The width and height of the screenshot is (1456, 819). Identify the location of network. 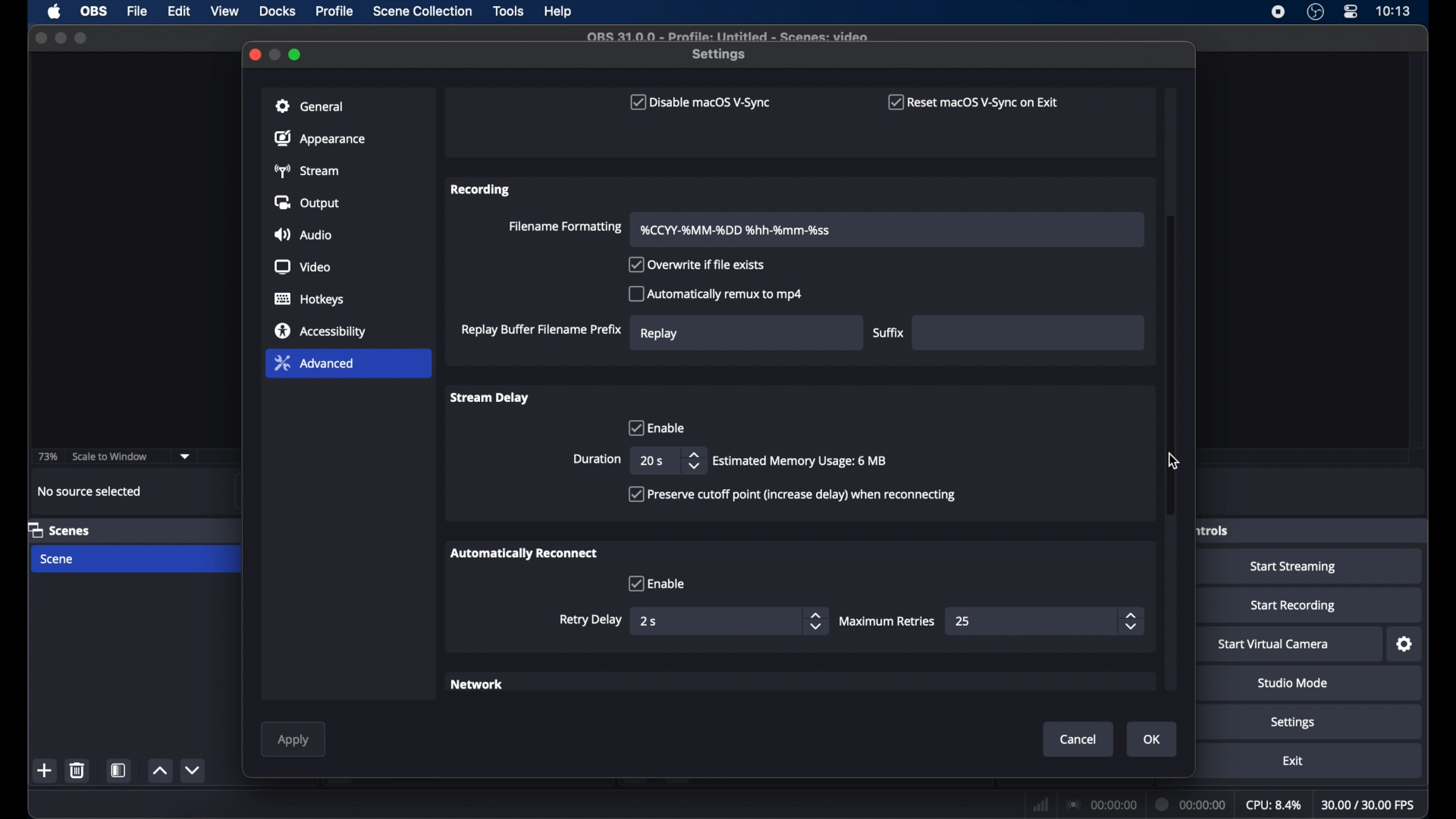
(479, 686).